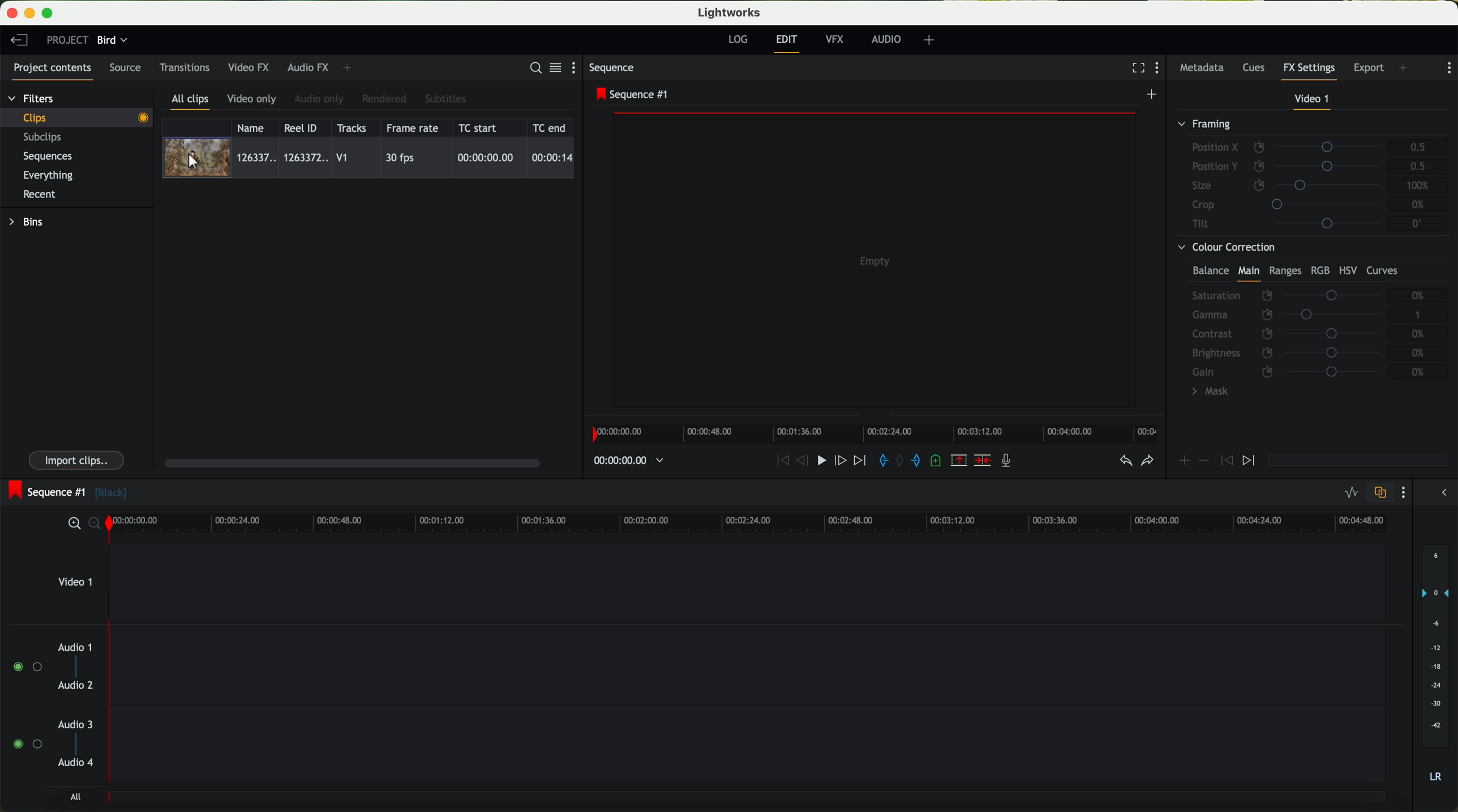 This screenshot has height=812, width=1458. What do you see at coordinates (1291, 223) in the screenshot?
I see `tilt` at bounding box center [1291, 223].